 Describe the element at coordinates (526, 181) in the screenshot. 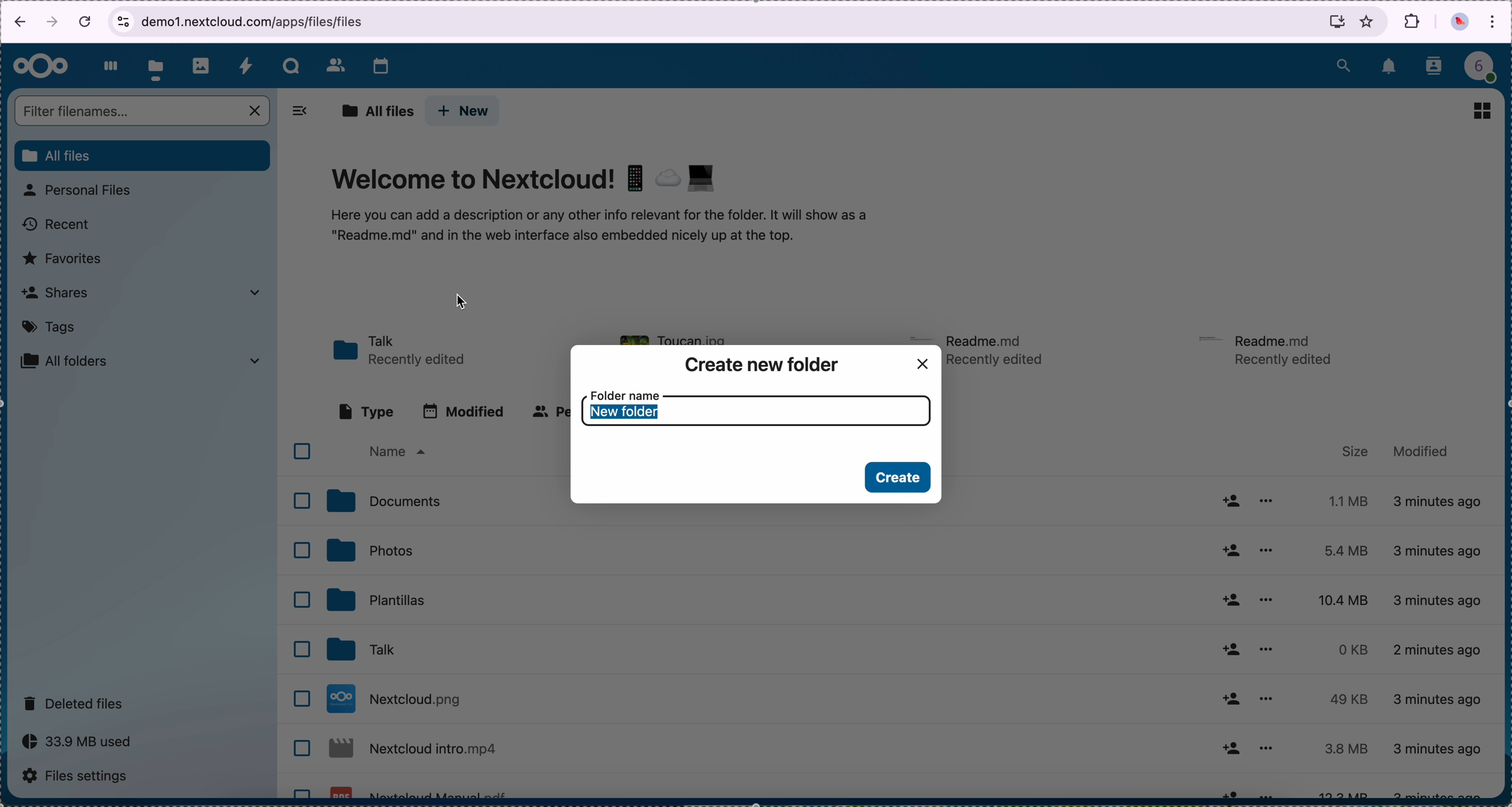

I see `Welcome to Nextcloud` at that location.